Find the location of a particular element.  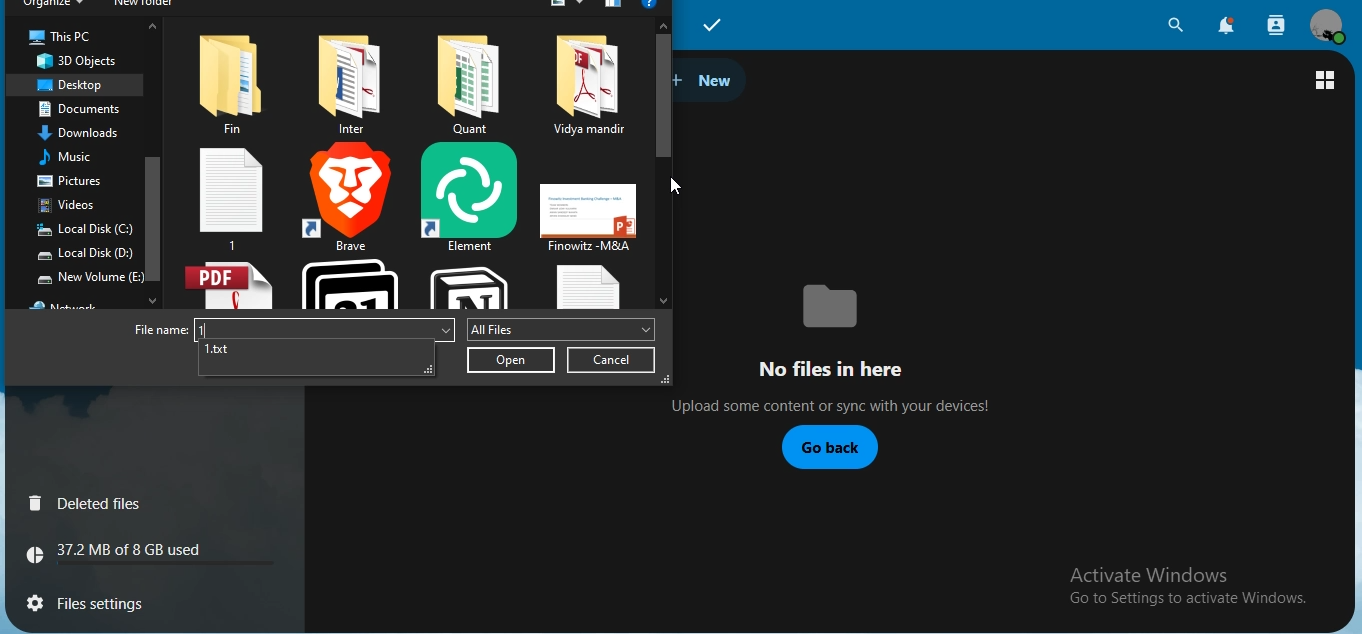

music is located at coordinates (76, 156).